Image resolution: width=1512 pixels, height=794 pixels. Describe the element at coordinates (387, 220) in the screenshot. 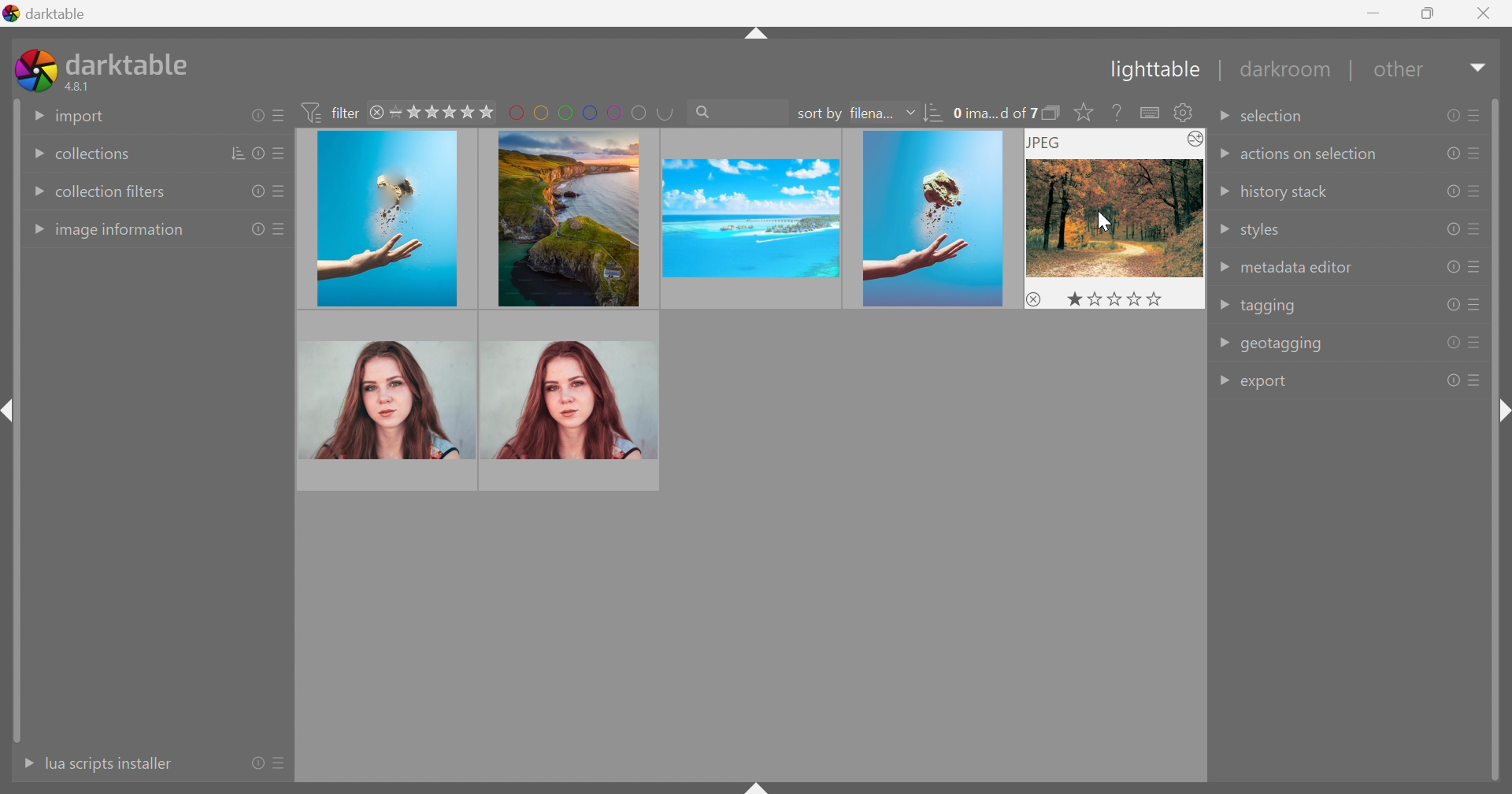

I see `image` at that location.